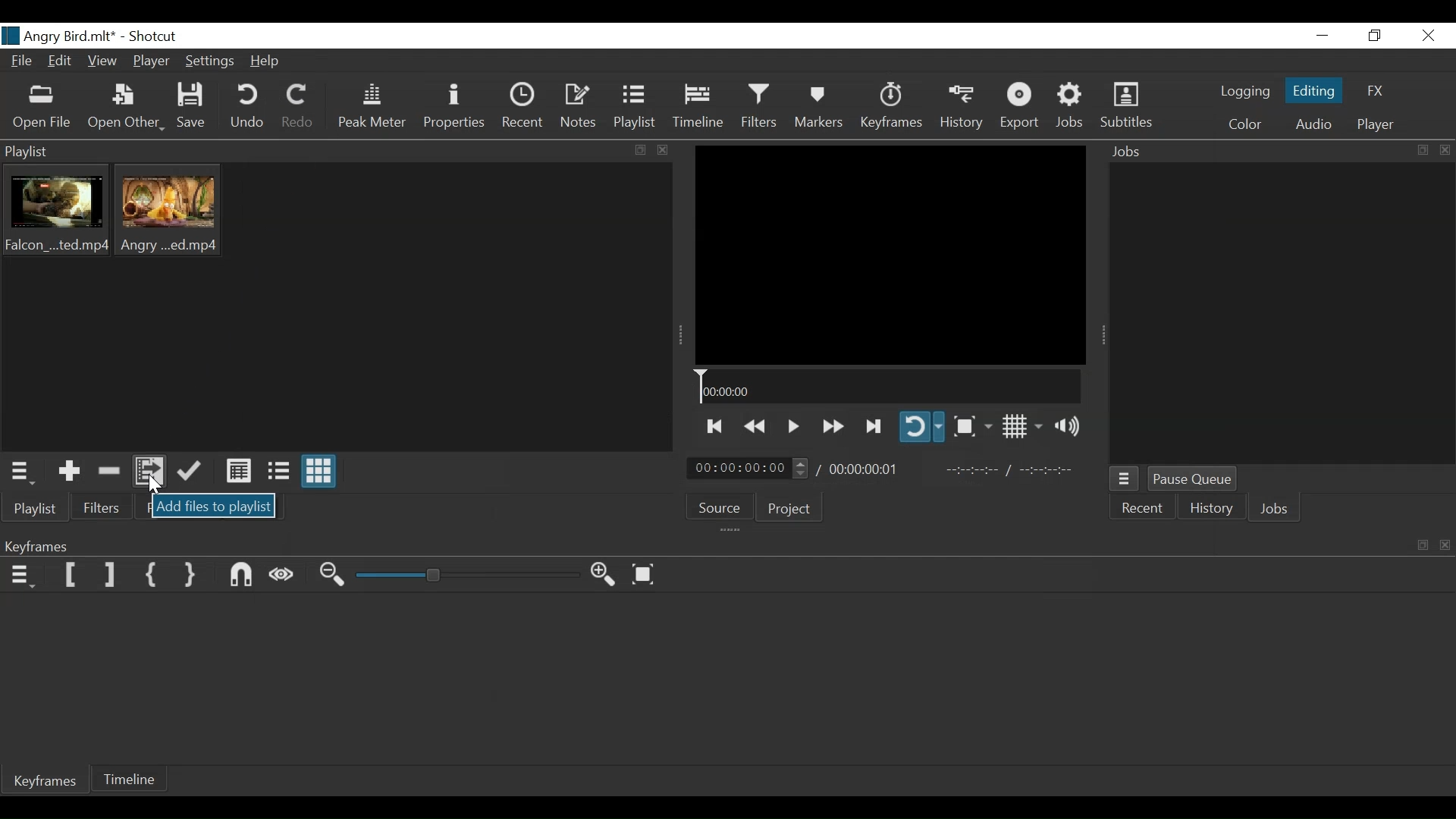 The width and height of the screenshot is (1456, 819). Describe the element at coordinates (877, 424) in the screenshot. I see `Skip to the next point` at that location.